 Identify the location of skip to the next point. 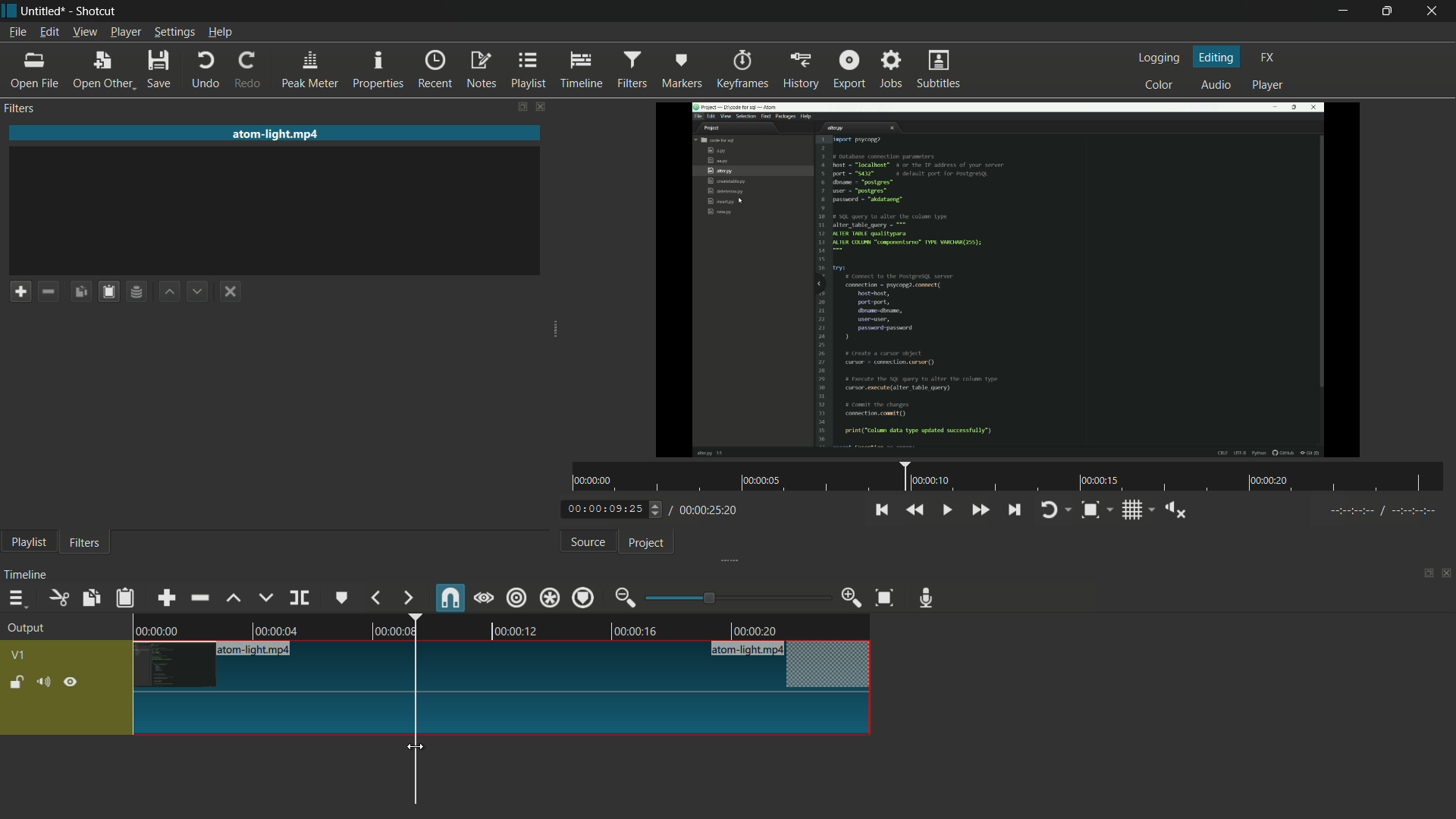
(1016, 511).